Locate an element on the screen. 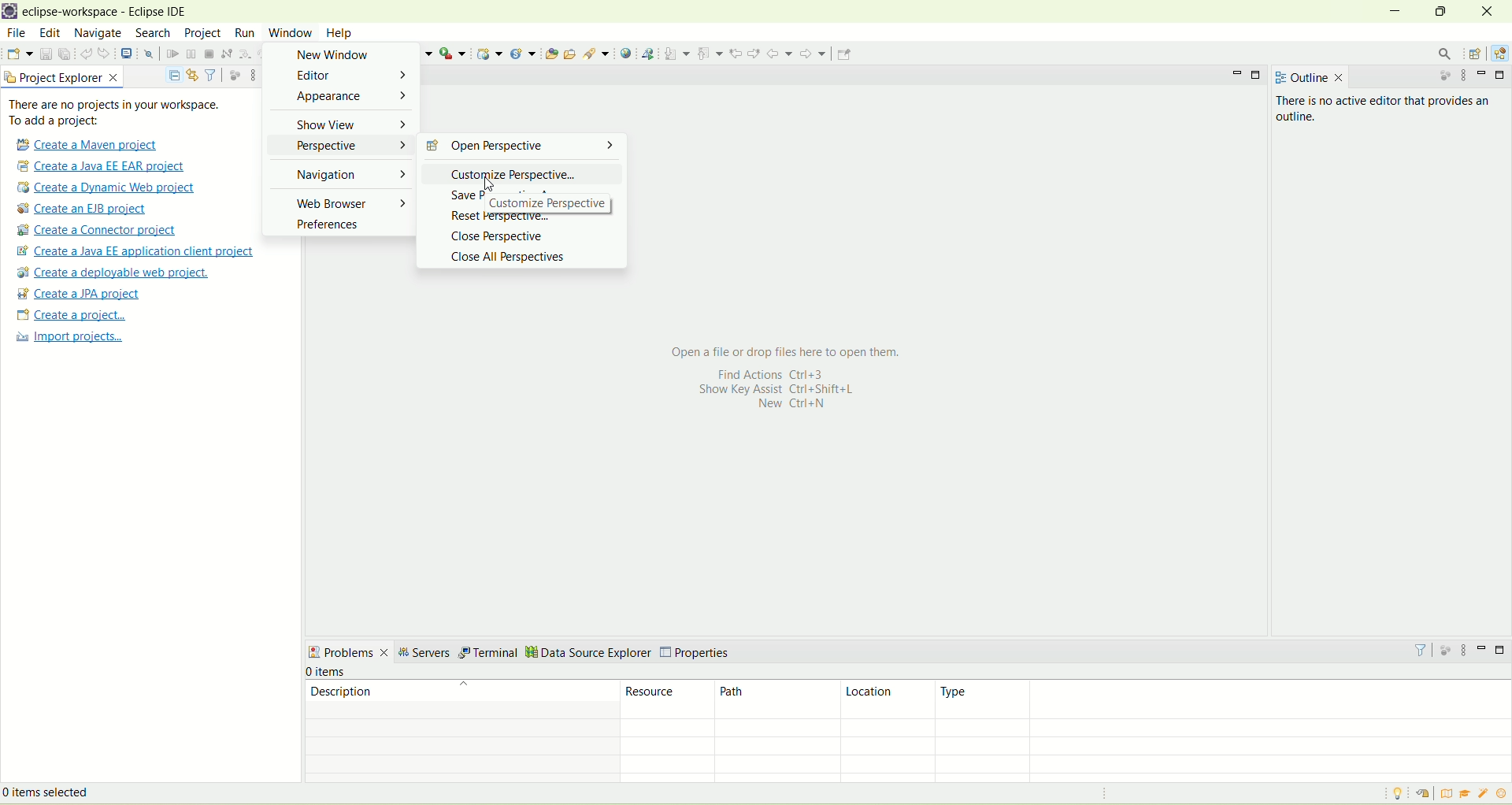  maximize is located at coordinates (1503, 76).